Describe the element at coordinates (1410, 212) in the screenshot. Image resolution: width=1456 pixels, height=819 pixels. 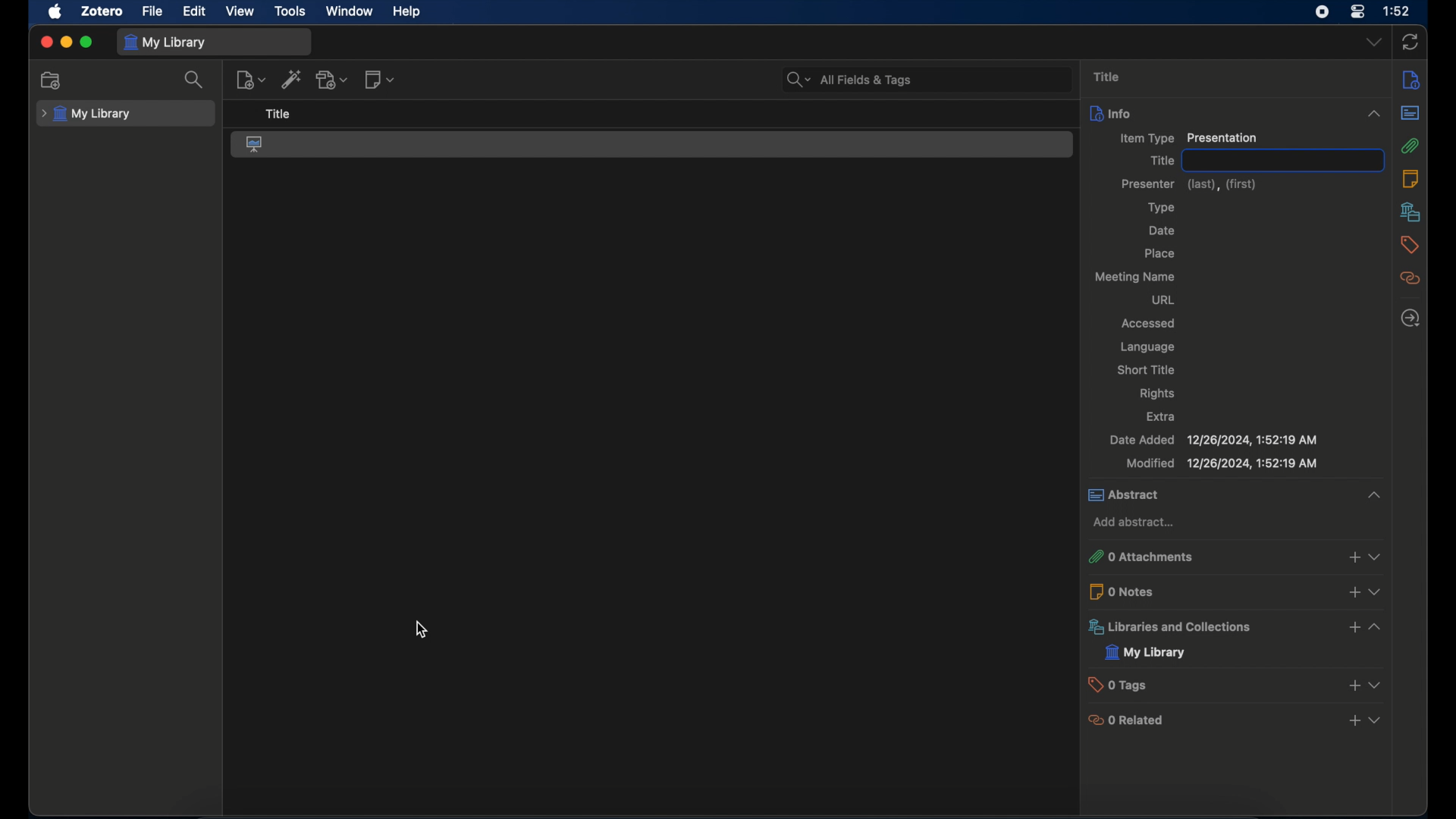
I see `libraries` at that location.